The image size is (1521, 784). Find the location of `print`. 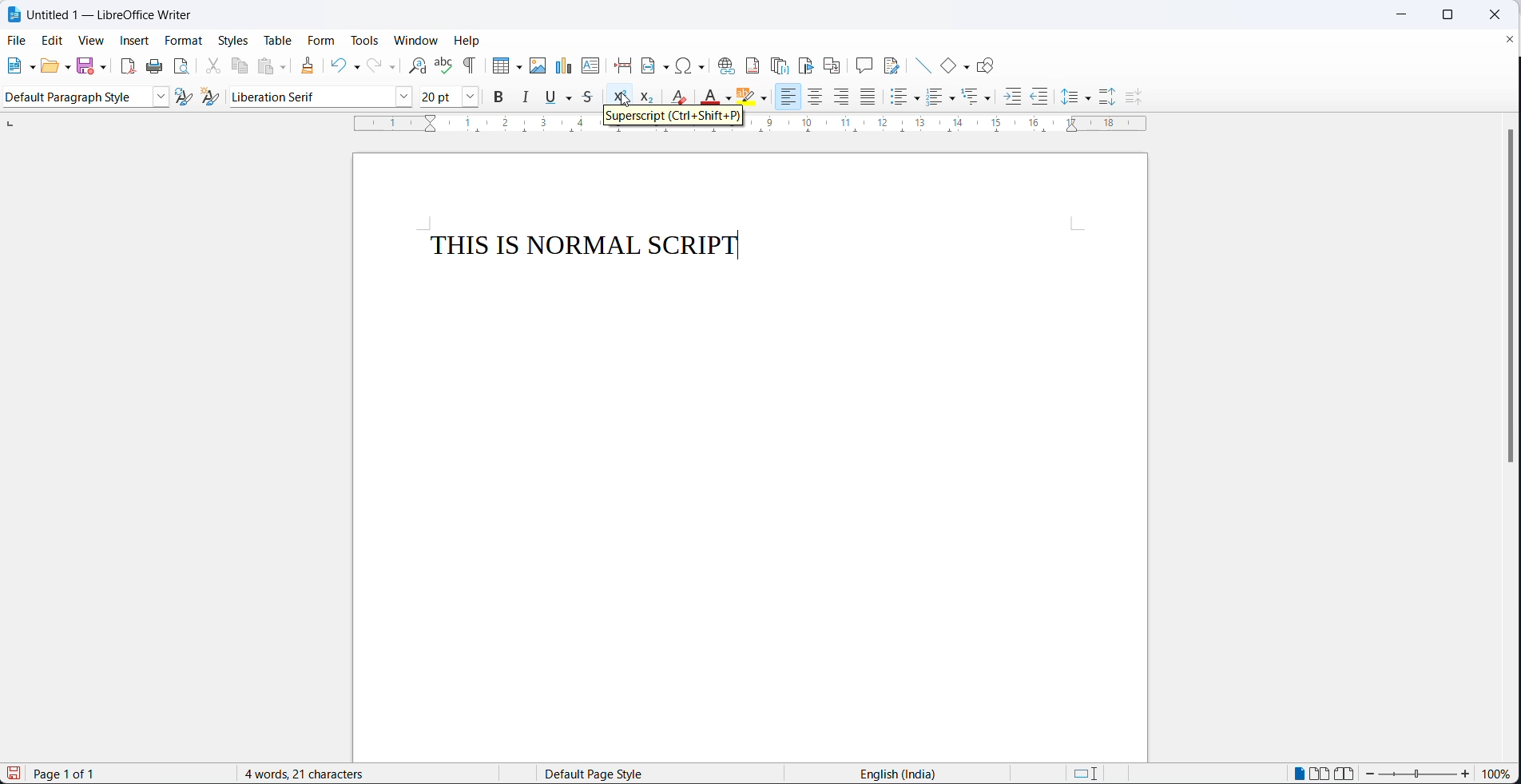

print is located at coordinates (153, 68).